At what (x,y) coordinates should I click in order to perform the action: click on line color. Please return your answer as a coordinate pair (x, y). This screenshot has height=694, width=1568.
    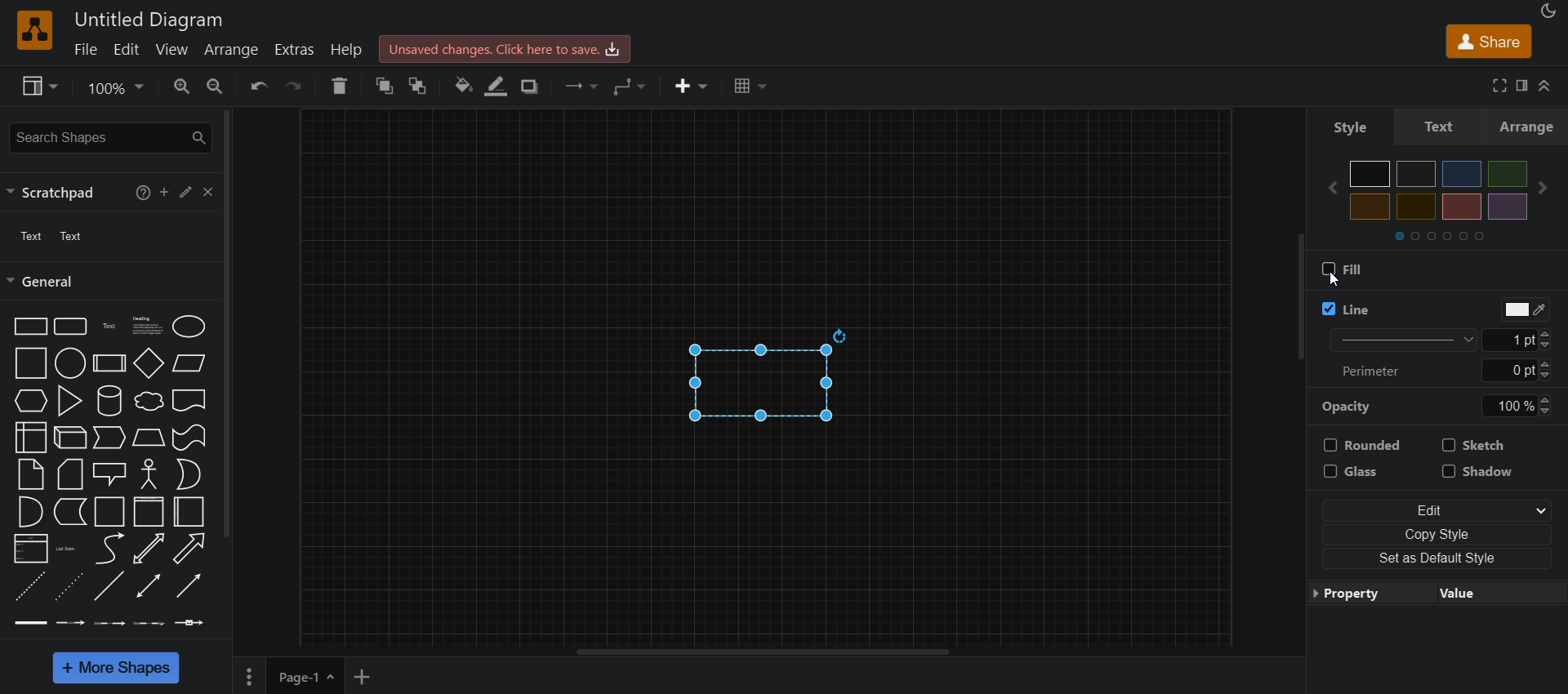
    Looking at the image, I should click on (1525, 311).